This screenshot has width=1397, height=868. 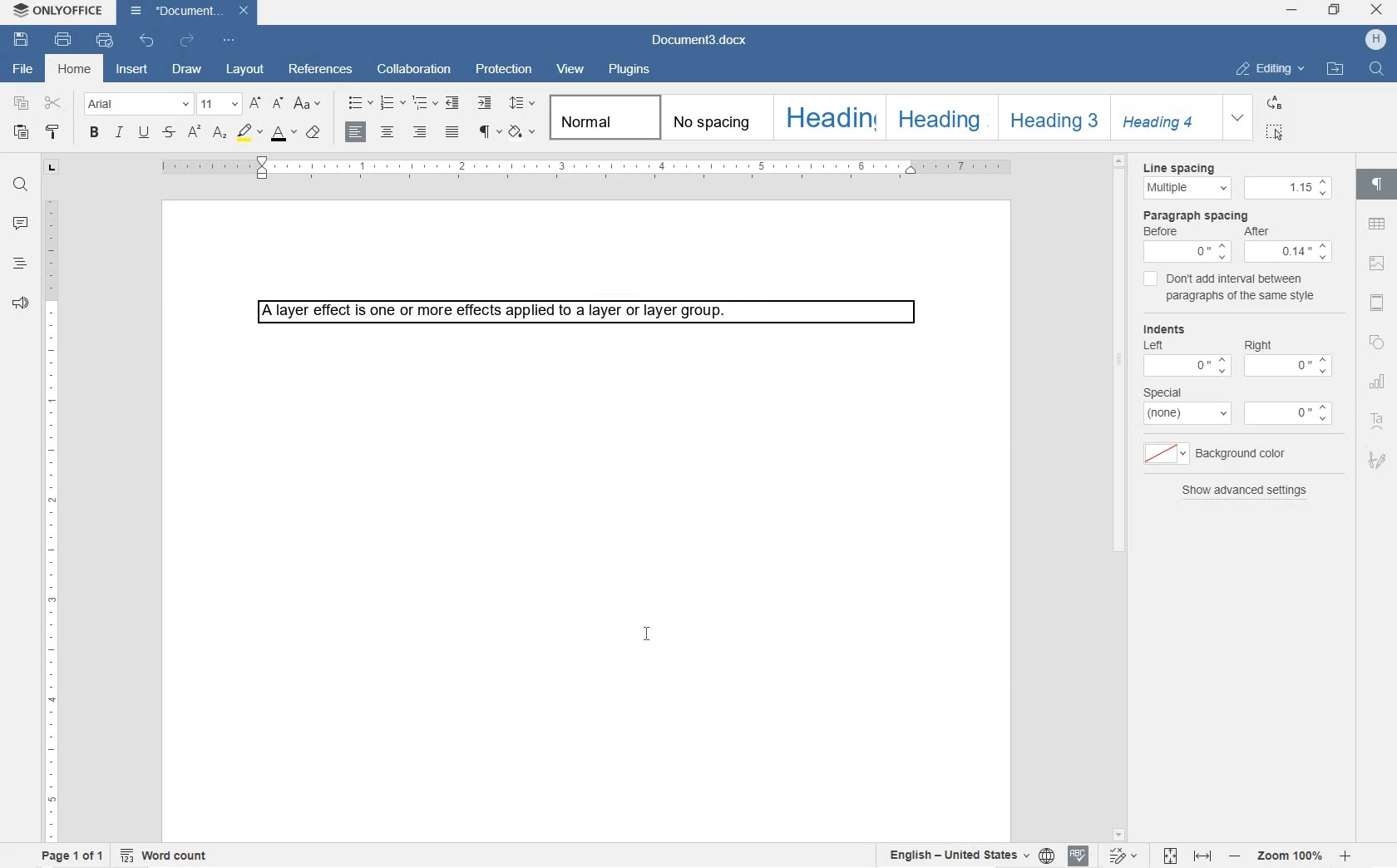 I want to click on HP, so click(x=1373, y=41).